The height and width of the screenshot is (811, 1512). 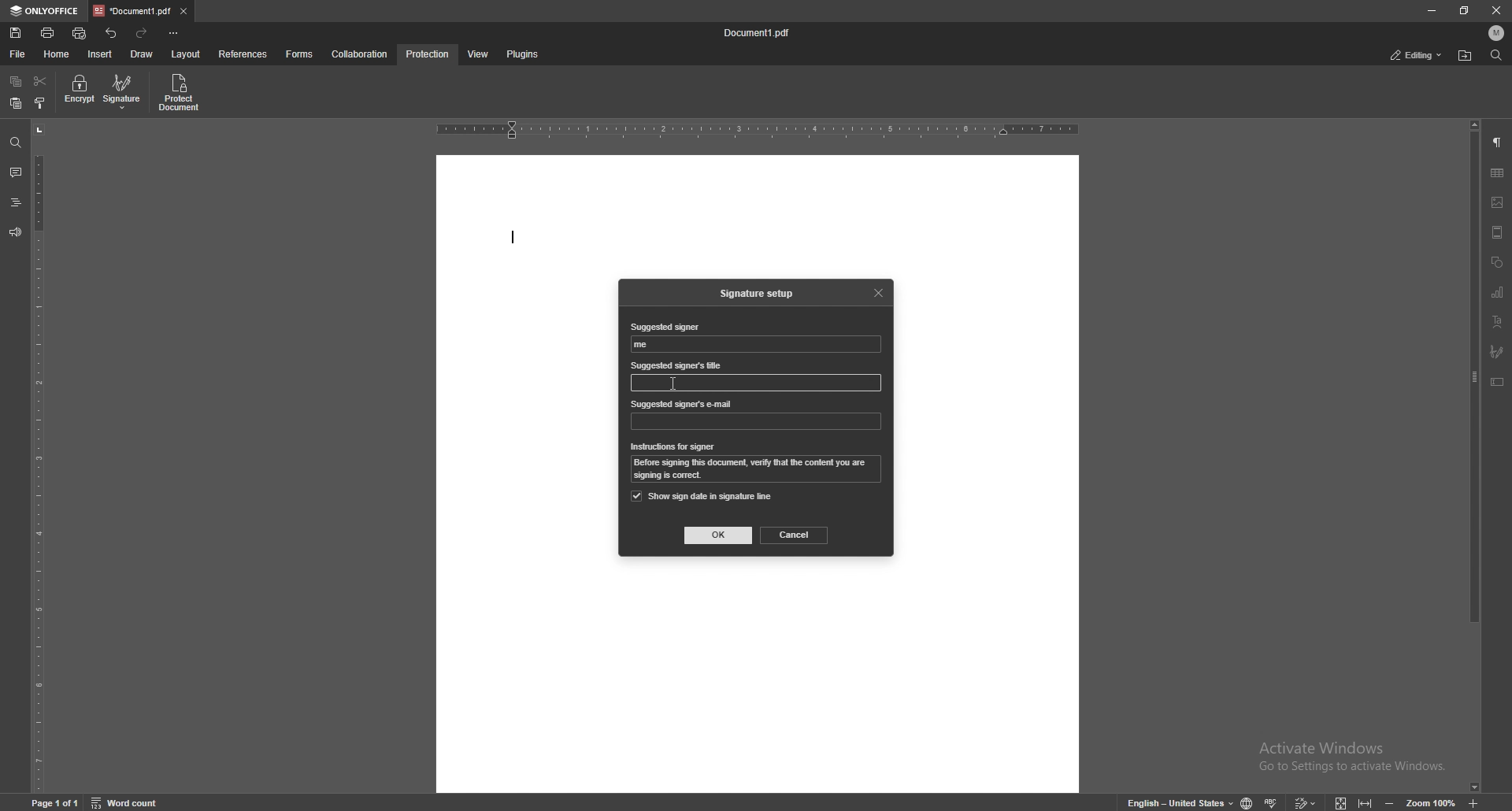 What do you see at coordinates (16, 82) in the screenshot?
I see `copy` at bounding box center [16, 82].